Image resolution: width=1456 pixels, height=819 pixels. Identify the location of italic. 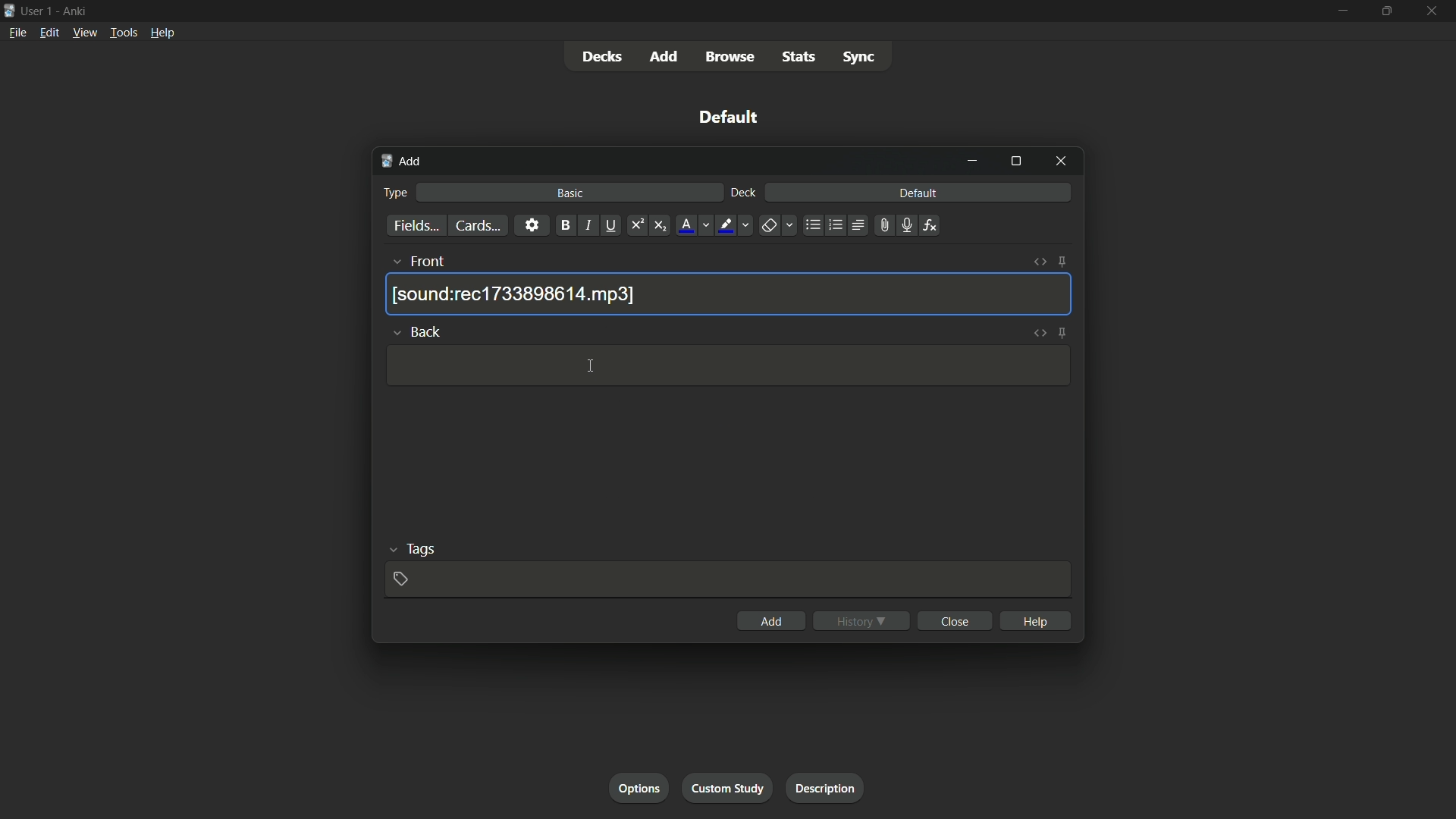
(588, 227).